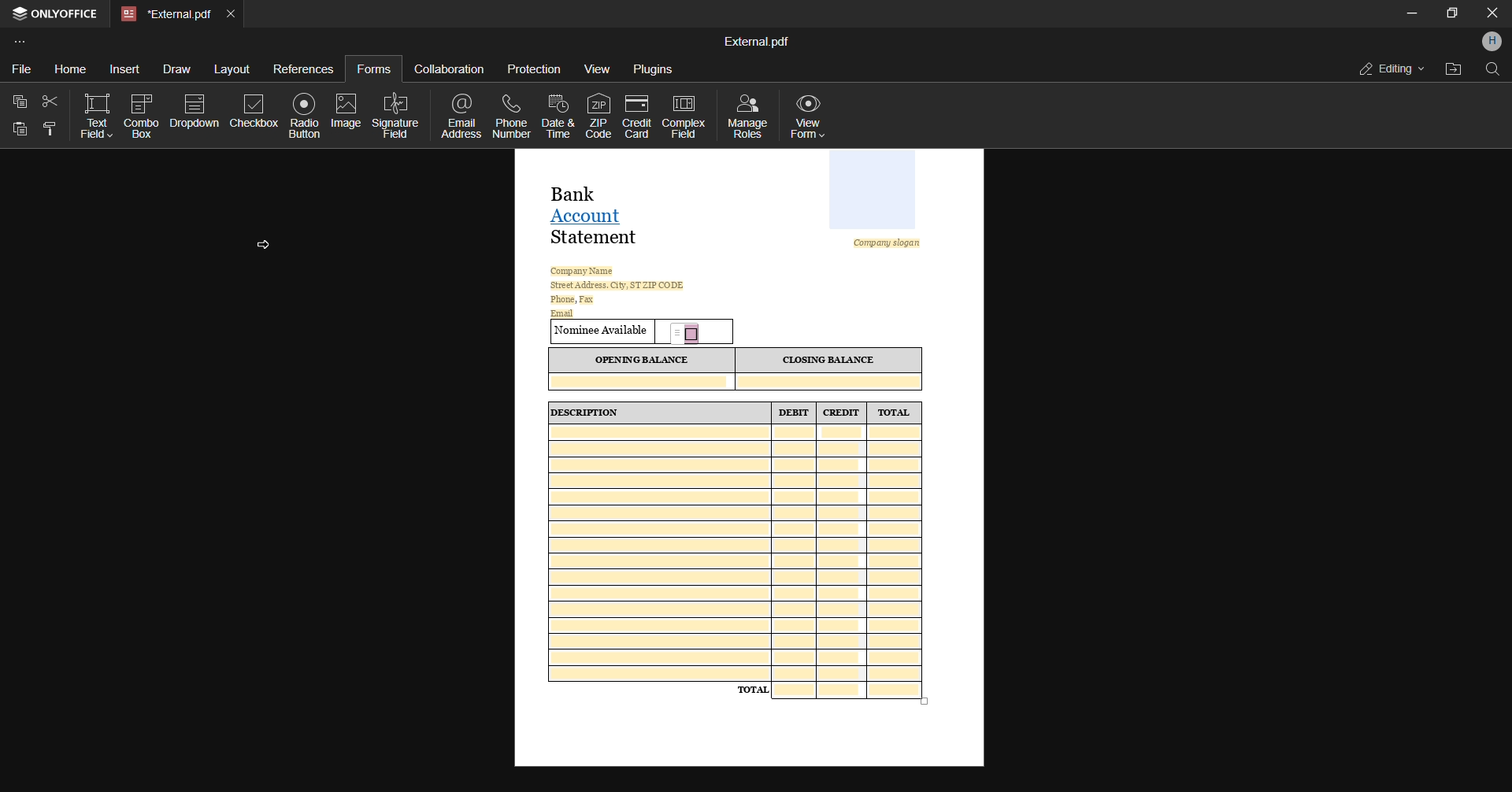 The width and height of the screenshot is (1512, 792). Describe the element at coordinates (513, 116) in the screenshot. I see `phone number` at that location.